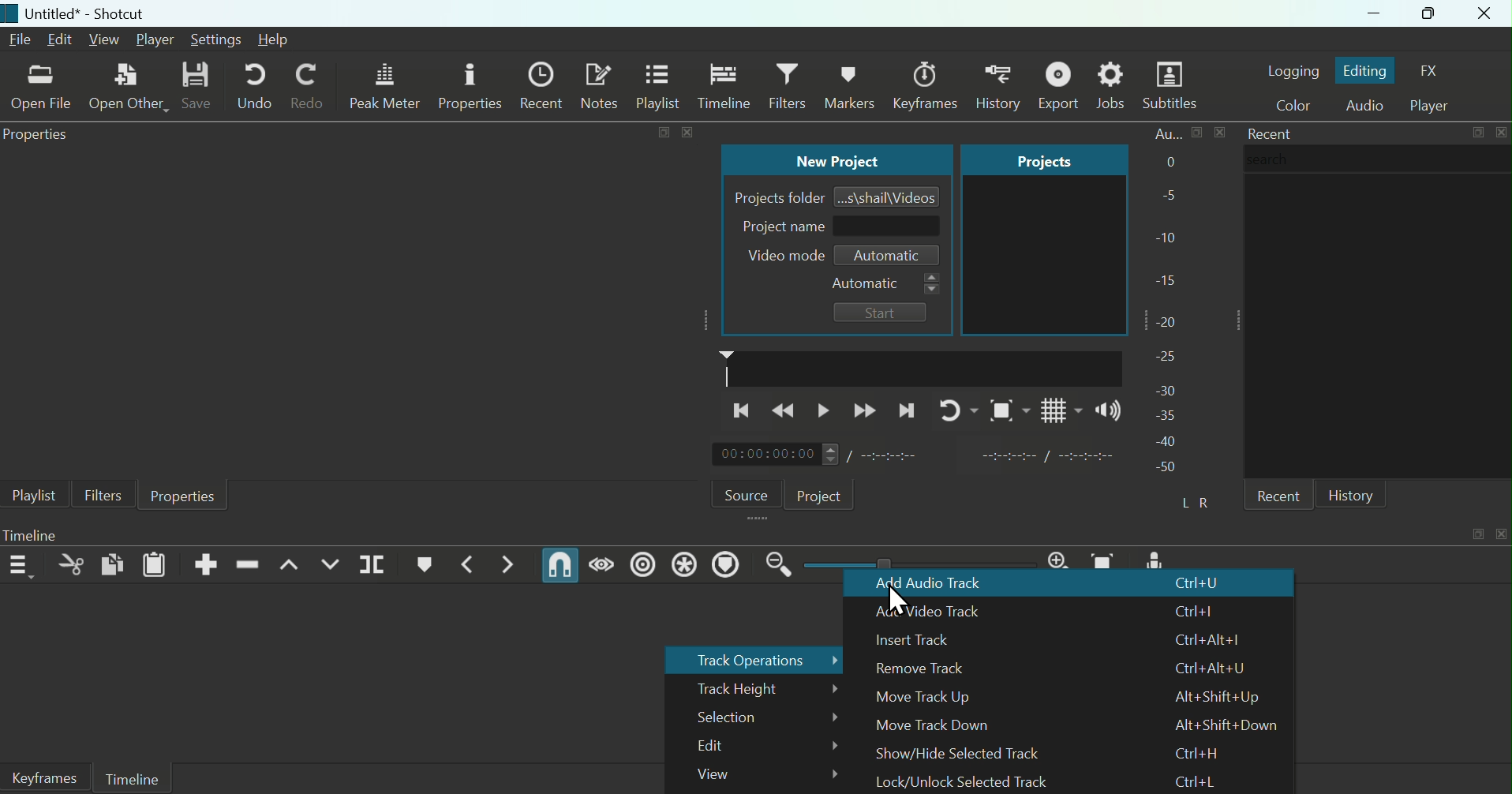 This screenshot has height=794, width=1512. What do you see at coordinates (642, 567) in the screenshot?
I see `Ripple` at bounding box center [642, 567].